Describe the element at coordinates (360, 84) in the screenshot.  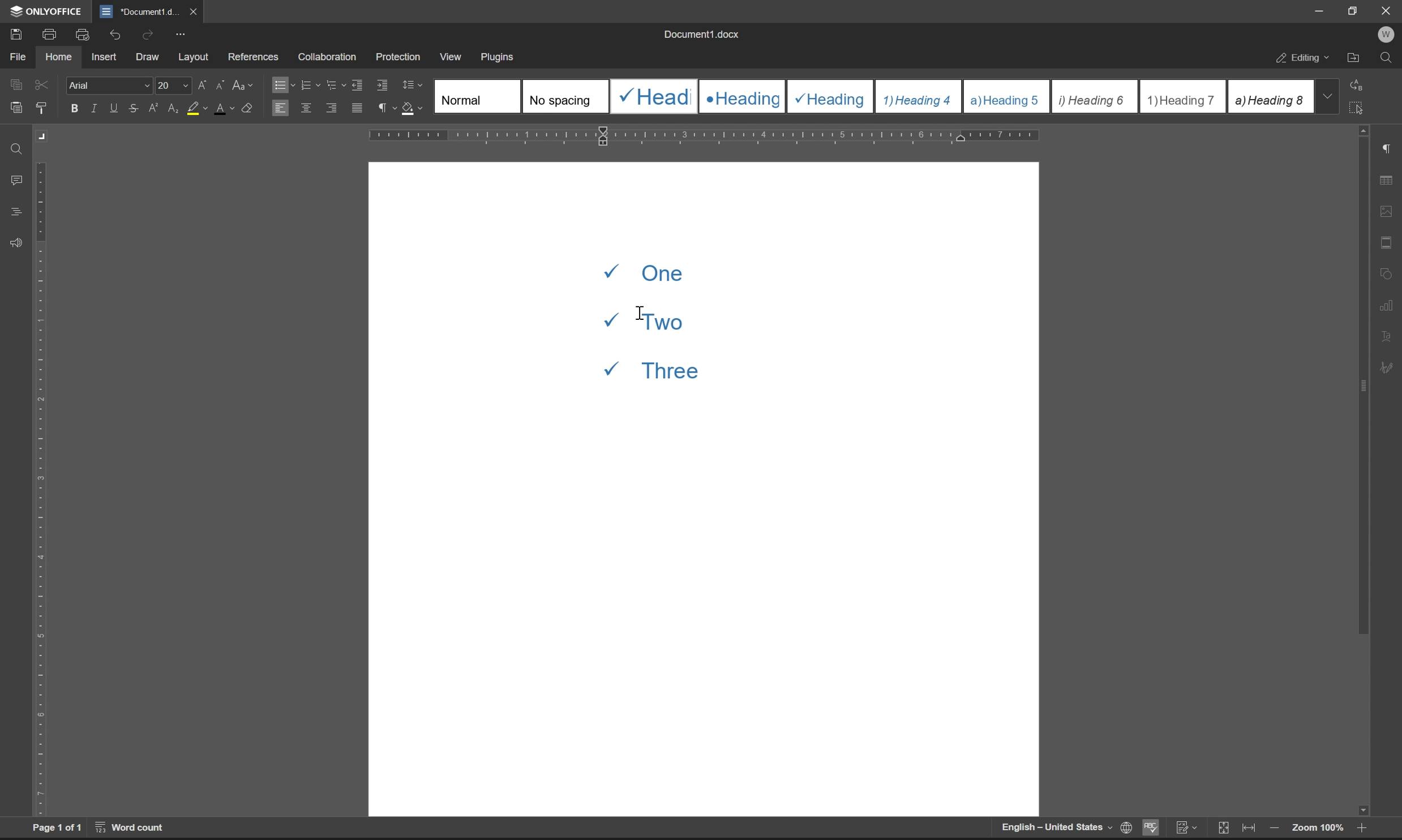
I see `decrease indent` at that location.